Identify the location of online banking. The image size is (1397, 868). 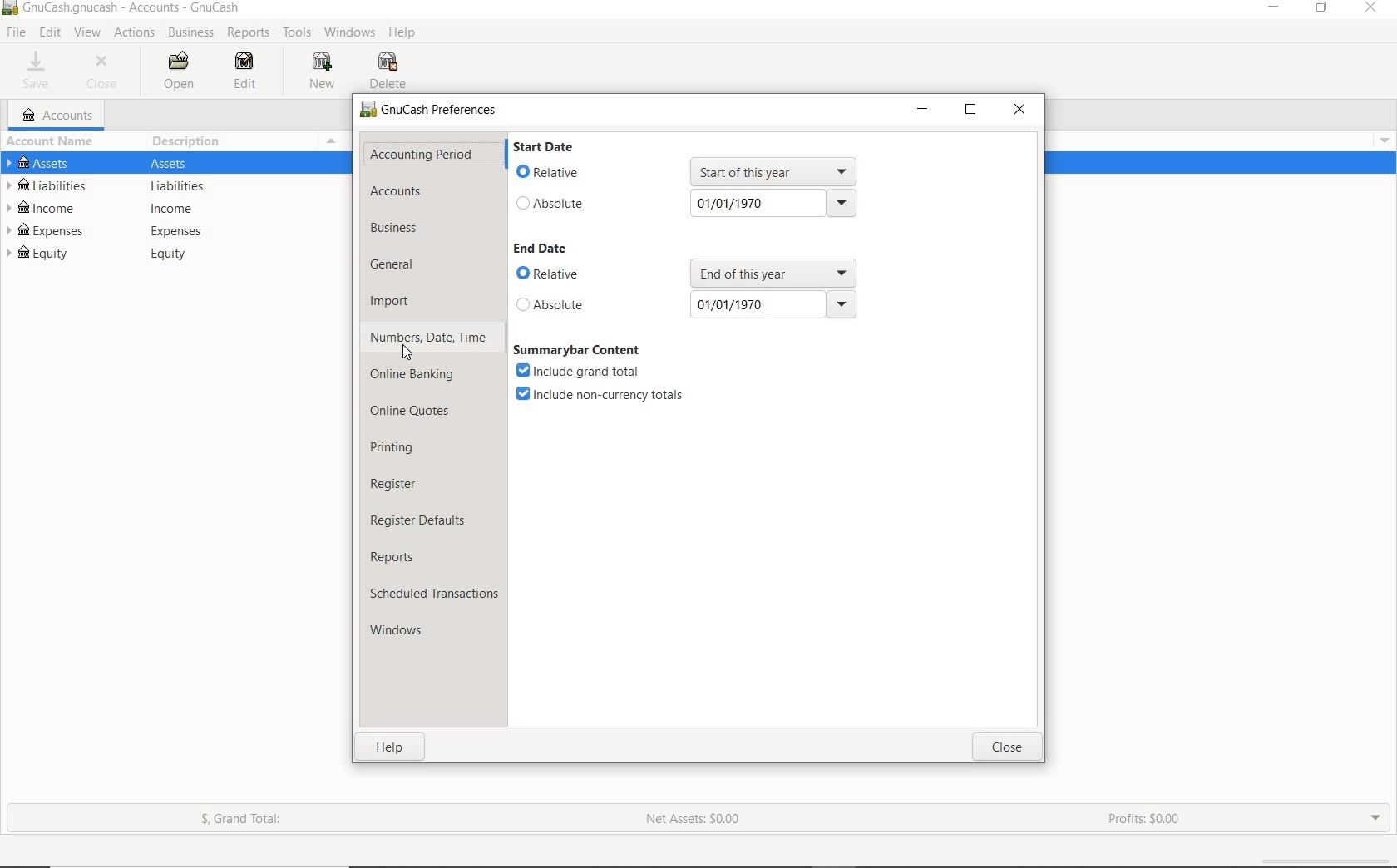
(421, 374).